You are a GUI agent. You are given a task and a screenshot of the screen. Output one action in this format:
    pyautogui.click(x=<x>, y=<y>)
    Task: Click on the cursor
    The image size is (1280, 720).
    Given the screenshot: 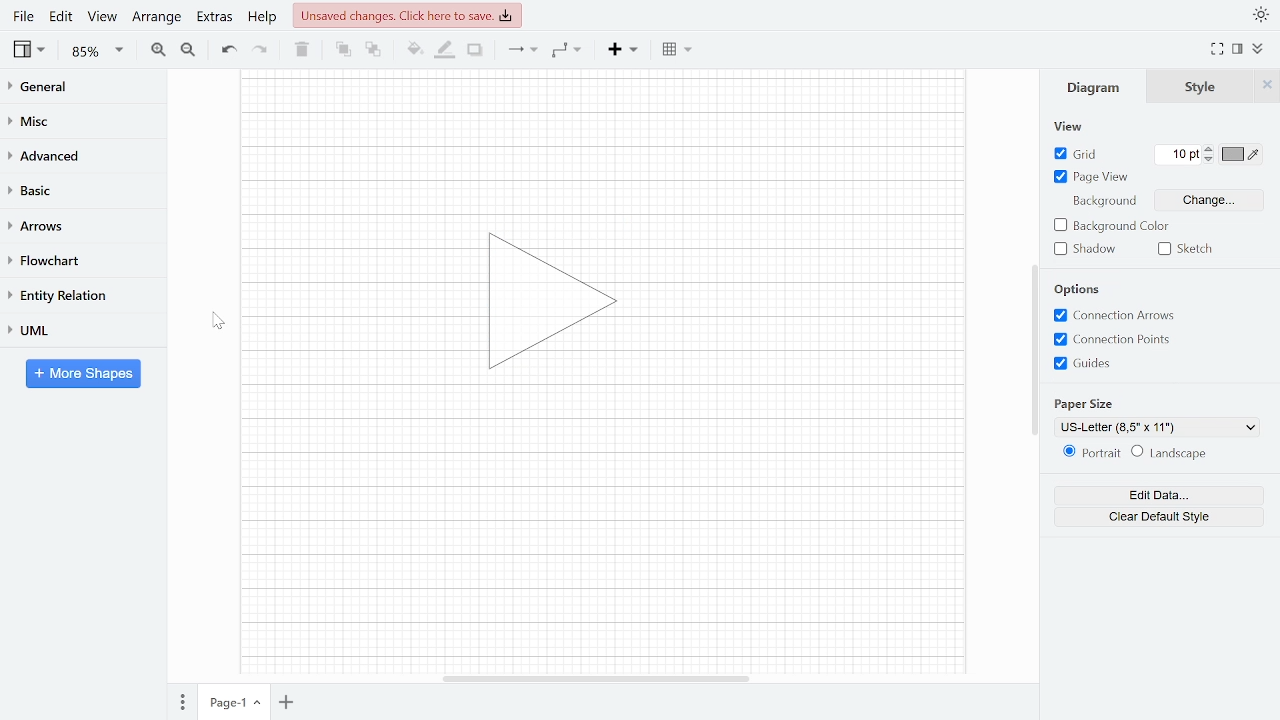 What is the action you would take?
    pyautogui.click(x=218, y=321)
    